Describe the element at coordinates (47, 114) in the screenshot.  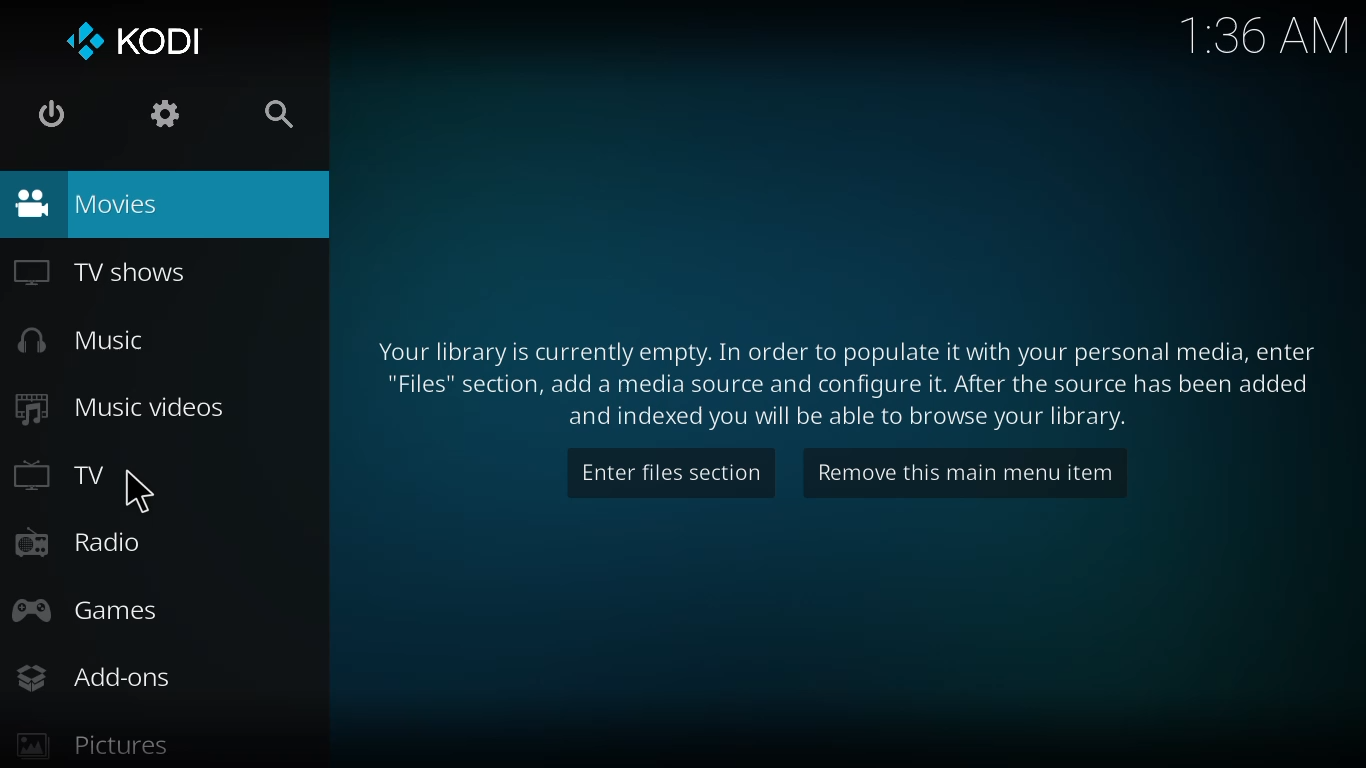
I see `power` at that location.